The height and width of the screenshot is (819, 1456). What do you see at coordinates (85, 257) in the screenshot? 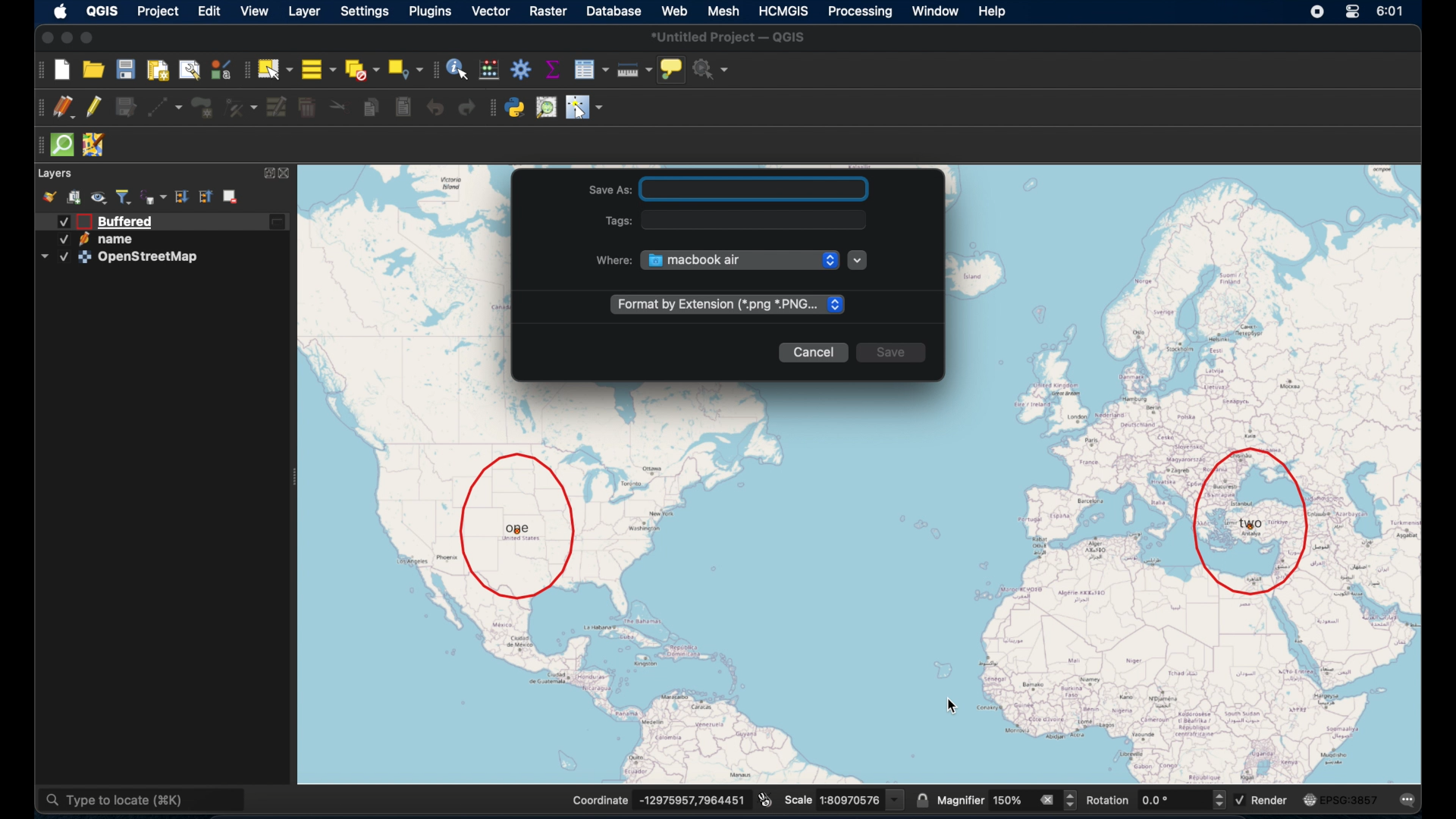
I see `icon` at bounding box center [85, 257].